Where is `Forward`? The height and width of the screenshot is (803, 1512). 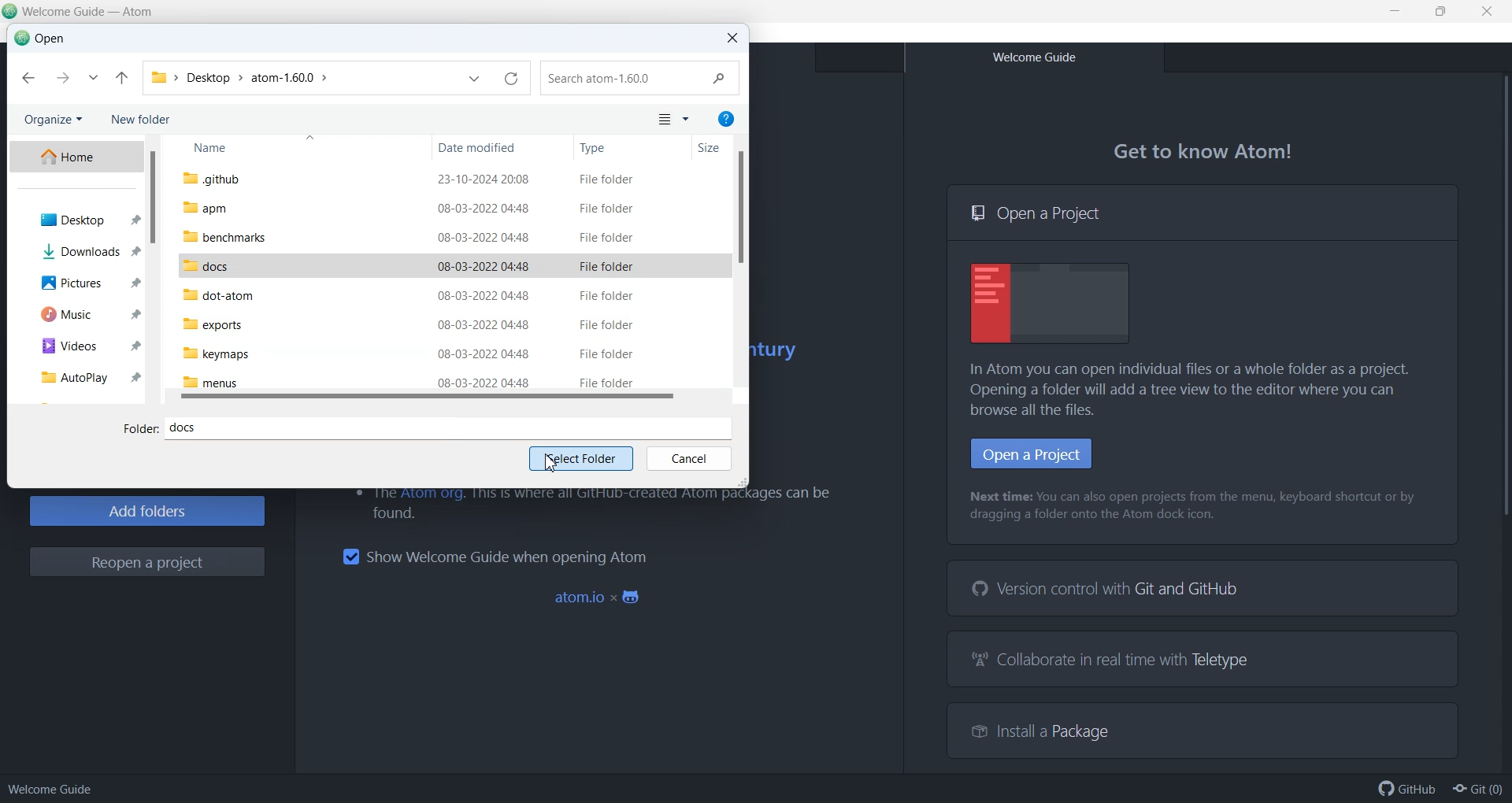 Forward is located at coordinates (61, 78).